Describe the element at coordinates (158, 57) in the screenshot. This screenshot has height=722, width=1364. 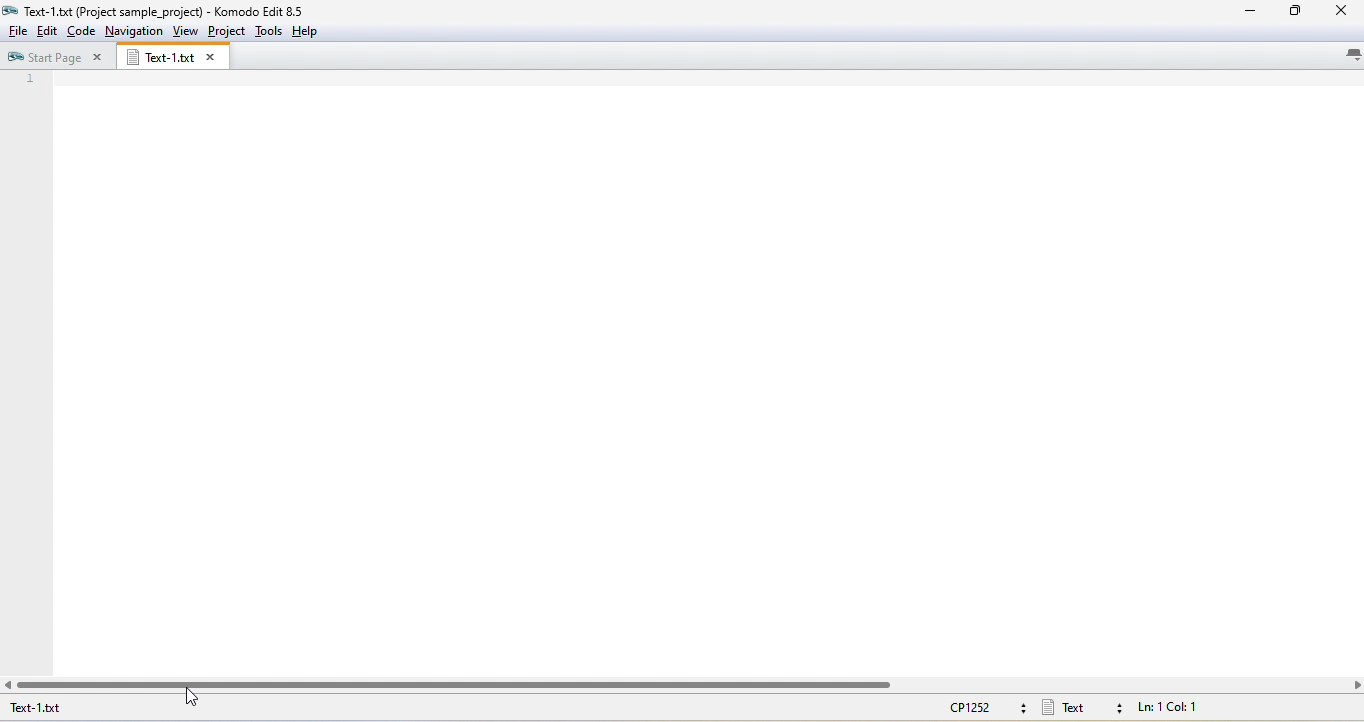
I see `text-1.txt` at that location.